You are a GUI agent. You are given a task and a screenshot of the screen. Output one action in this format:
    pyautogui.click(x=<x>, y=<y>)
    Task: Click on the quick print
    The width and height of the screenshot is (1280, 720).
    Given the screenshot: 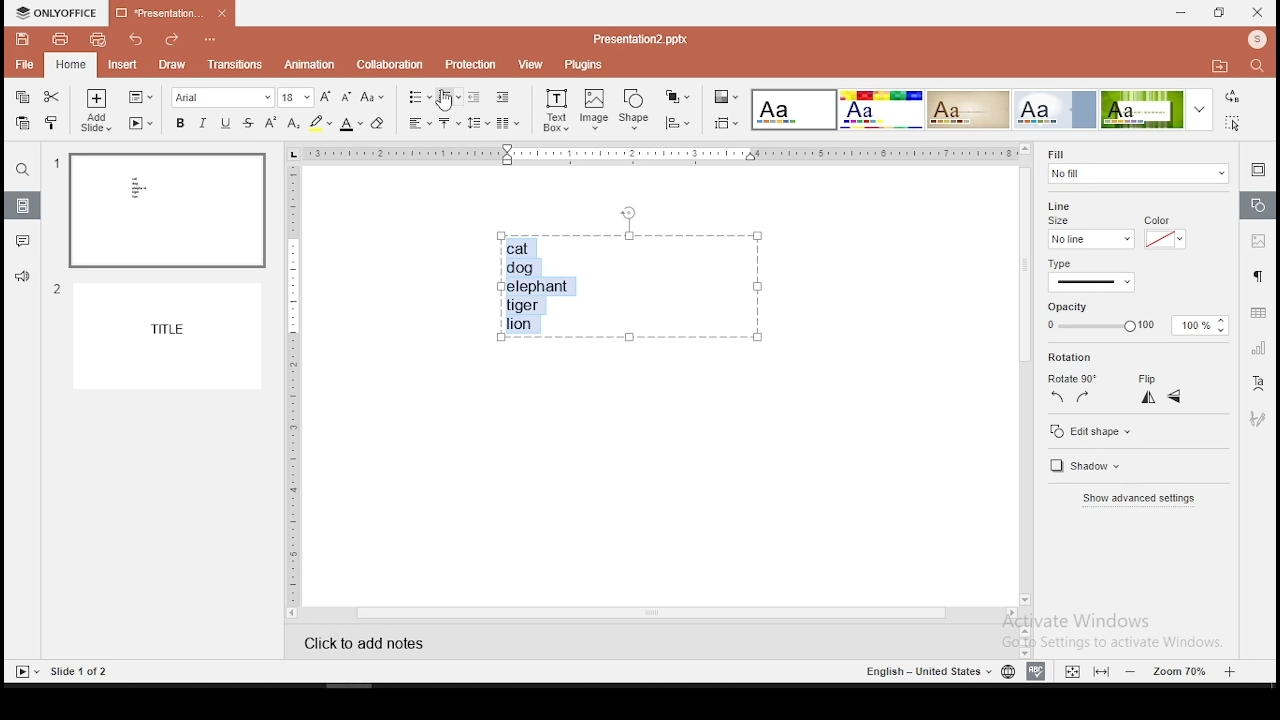 What is the action you would take?
    pyautogui.click(x=98, y=39)
    